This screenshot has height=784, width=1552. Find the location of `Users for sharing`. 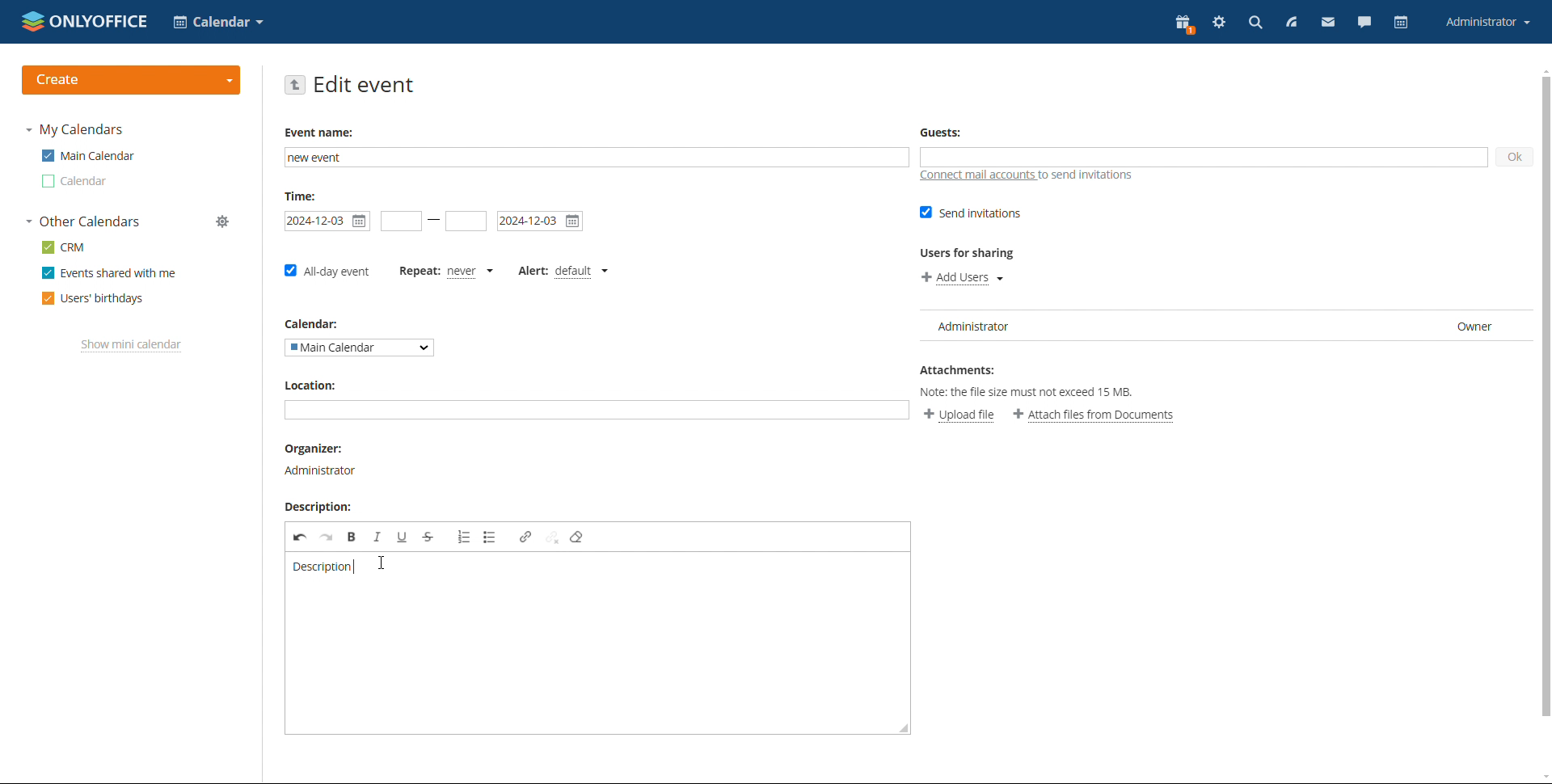

Users for sharing is located at coordinates (972, 253).